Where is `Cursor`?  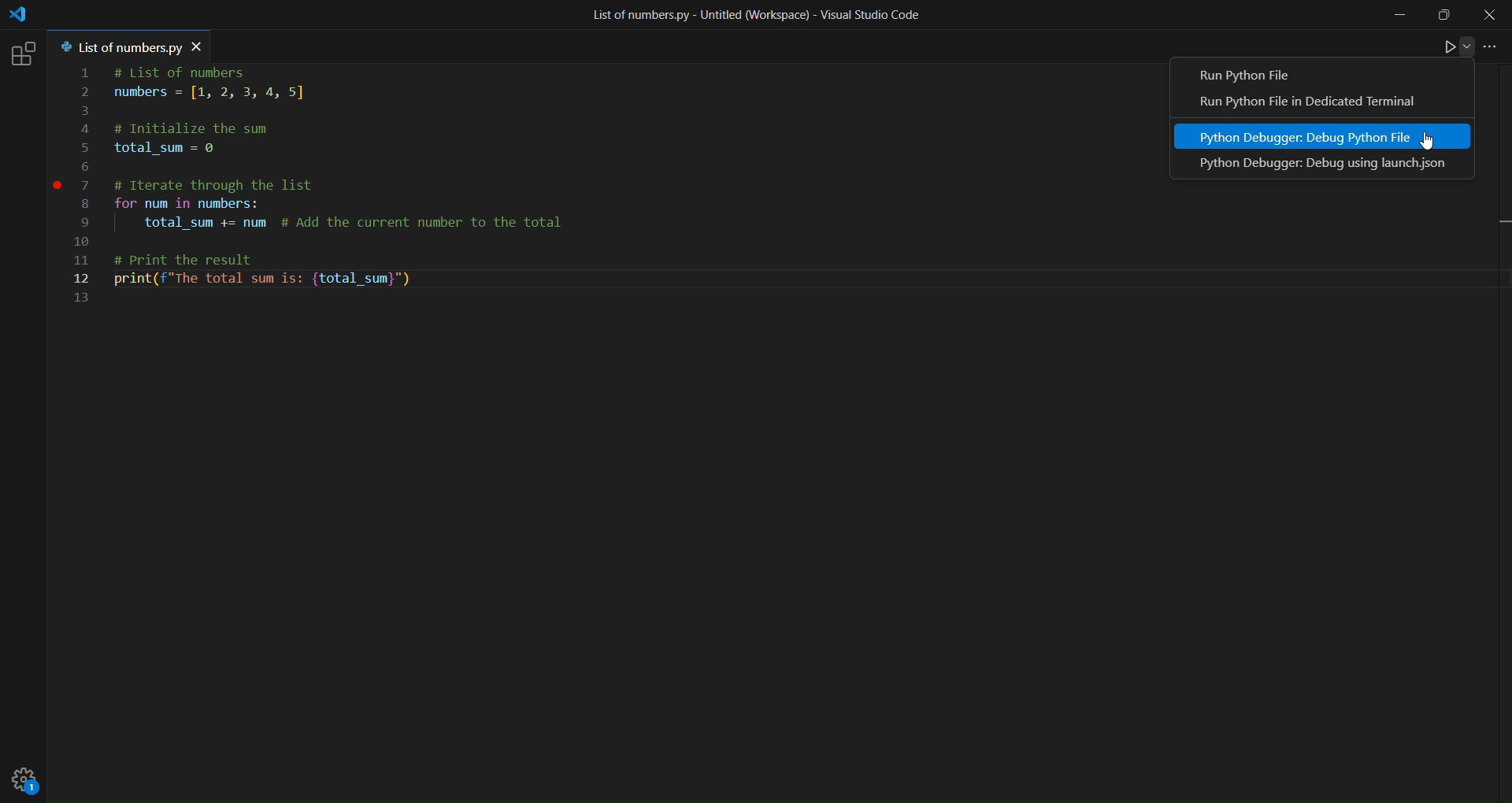
Cursor is located at coordinates (1425, 143).